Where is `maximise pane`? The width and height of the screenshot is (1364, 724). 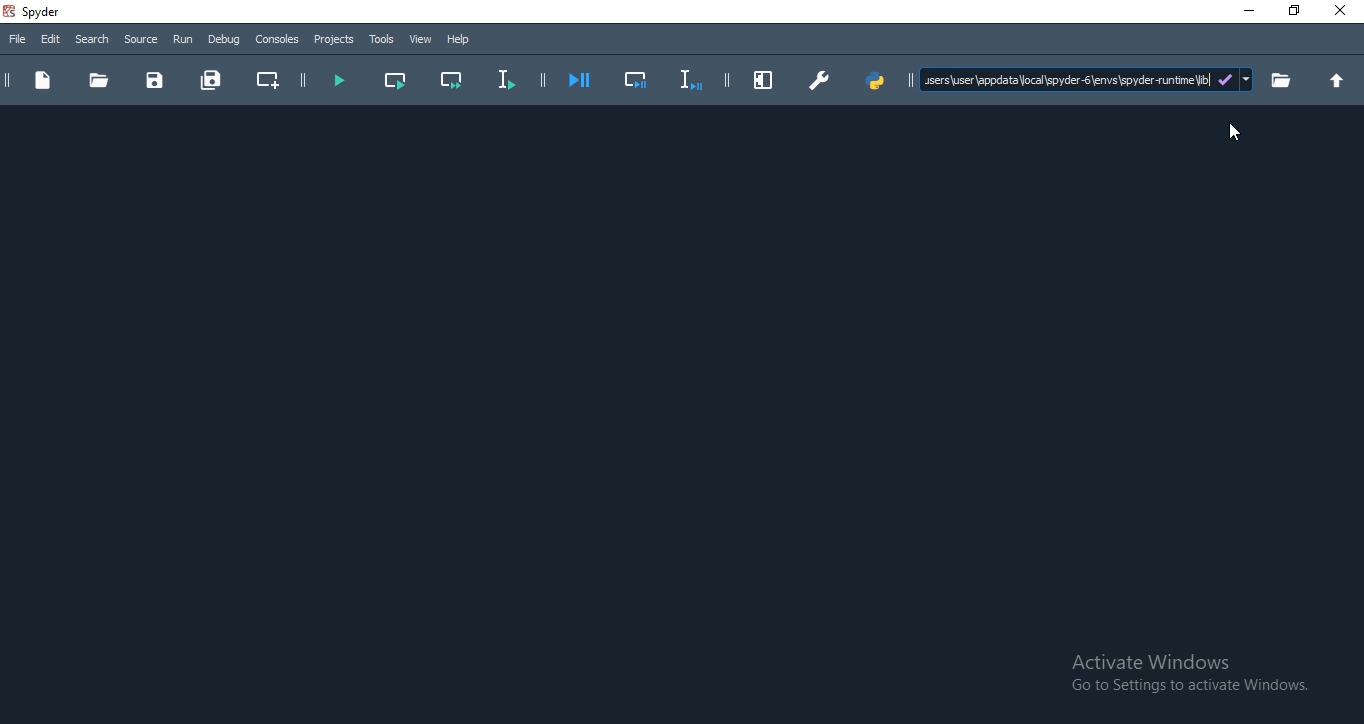 maximise pane is located at coordinates (765, 80).